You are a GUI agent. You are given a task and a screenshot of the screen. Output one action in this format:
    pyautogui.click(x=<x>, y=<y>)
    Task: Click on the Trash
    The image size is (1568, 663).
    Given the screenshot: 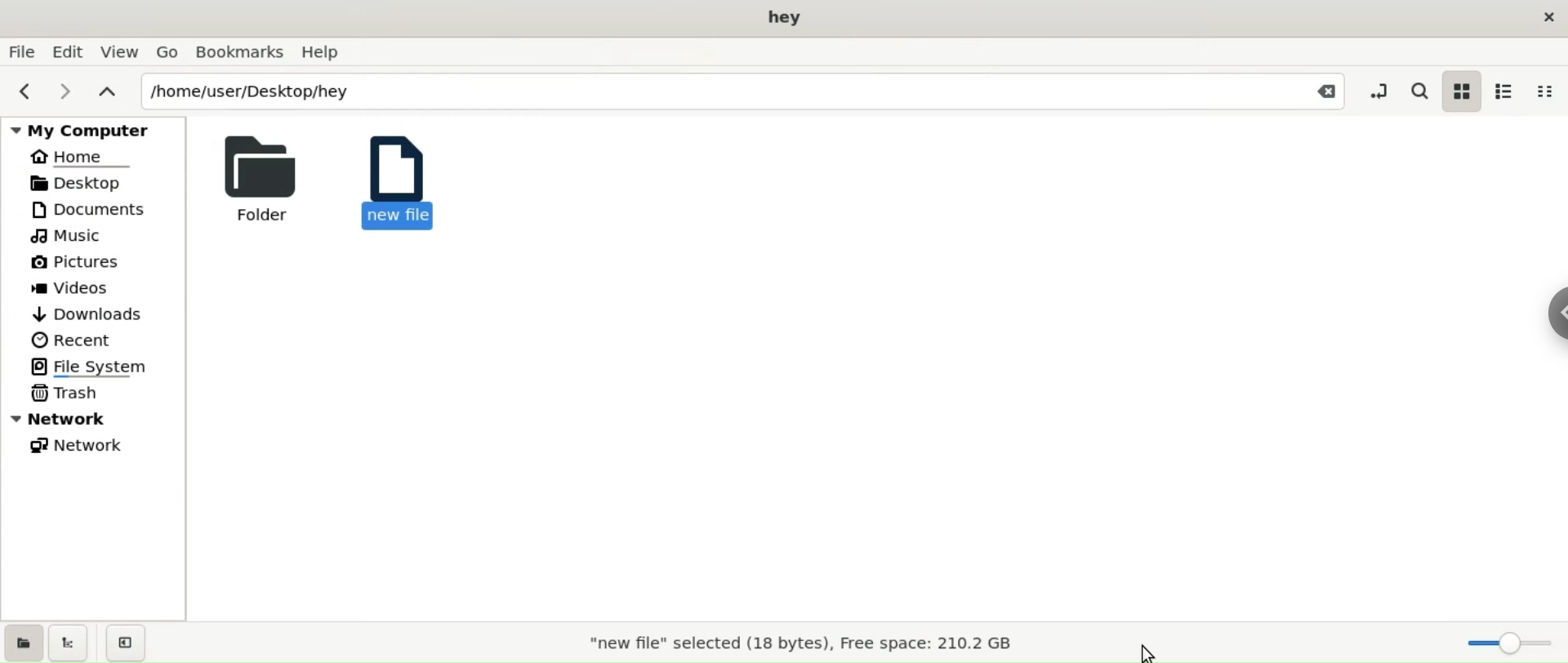 What is the action you would take?
    pyautogui.click(x=67, y=394)
    